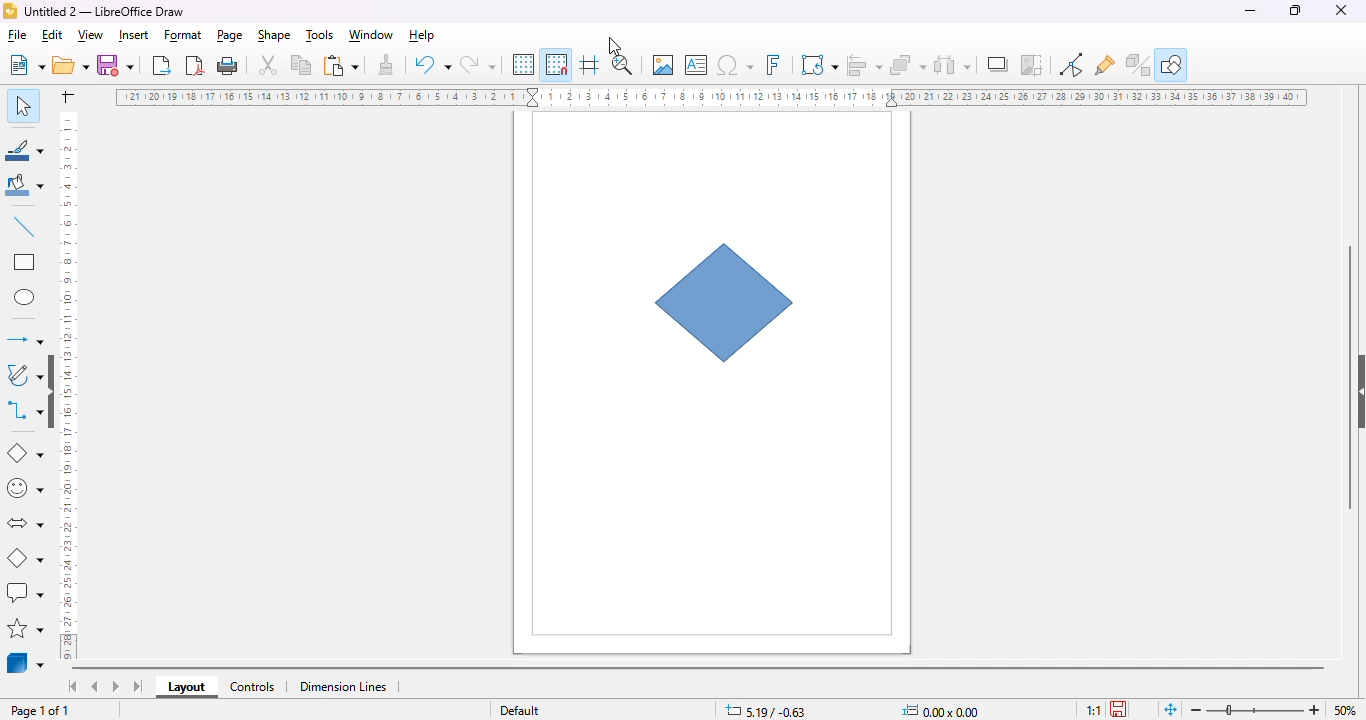 Image resolution: width=1366 pixels, height=720 pixels. Describe the element at coordinates (25, 227) in the screenshot. I see `insert line` at that location.